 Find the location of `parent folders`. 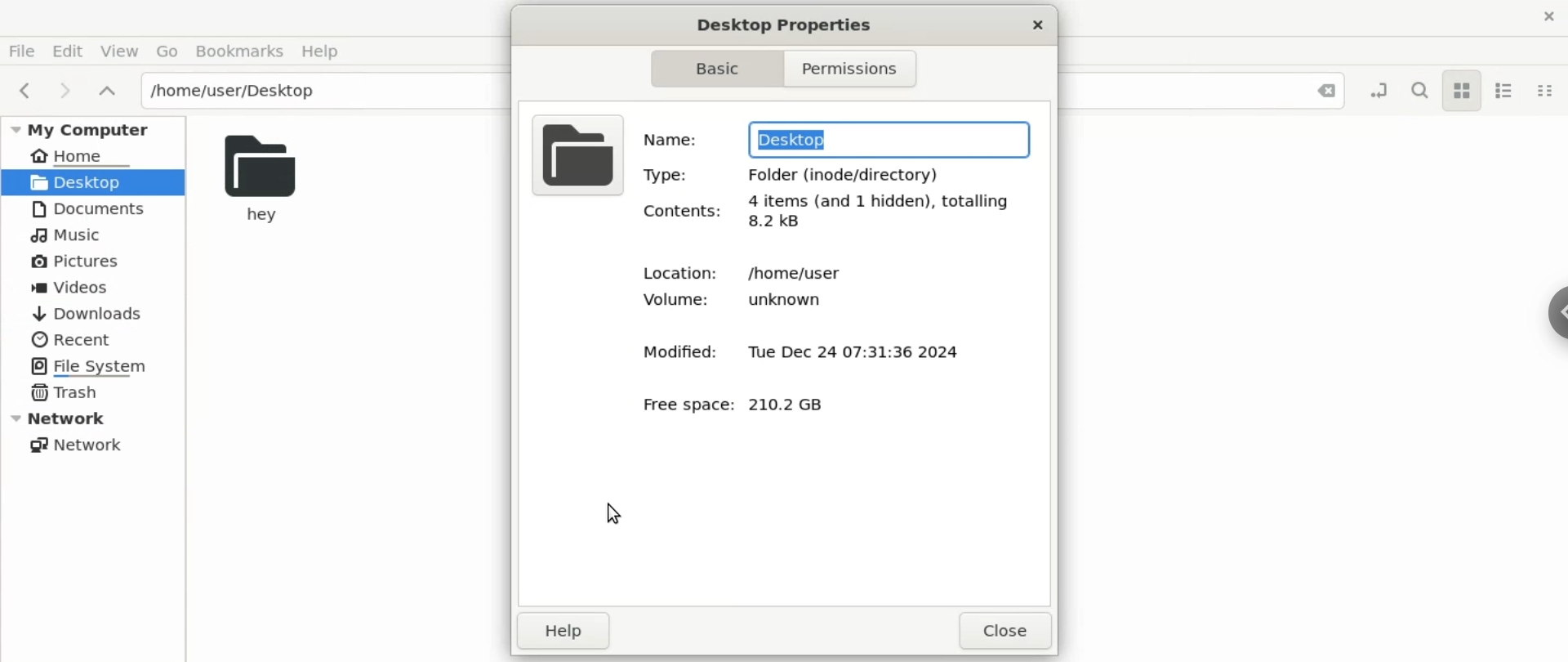

parent folders is located at coordinates (110, 91).